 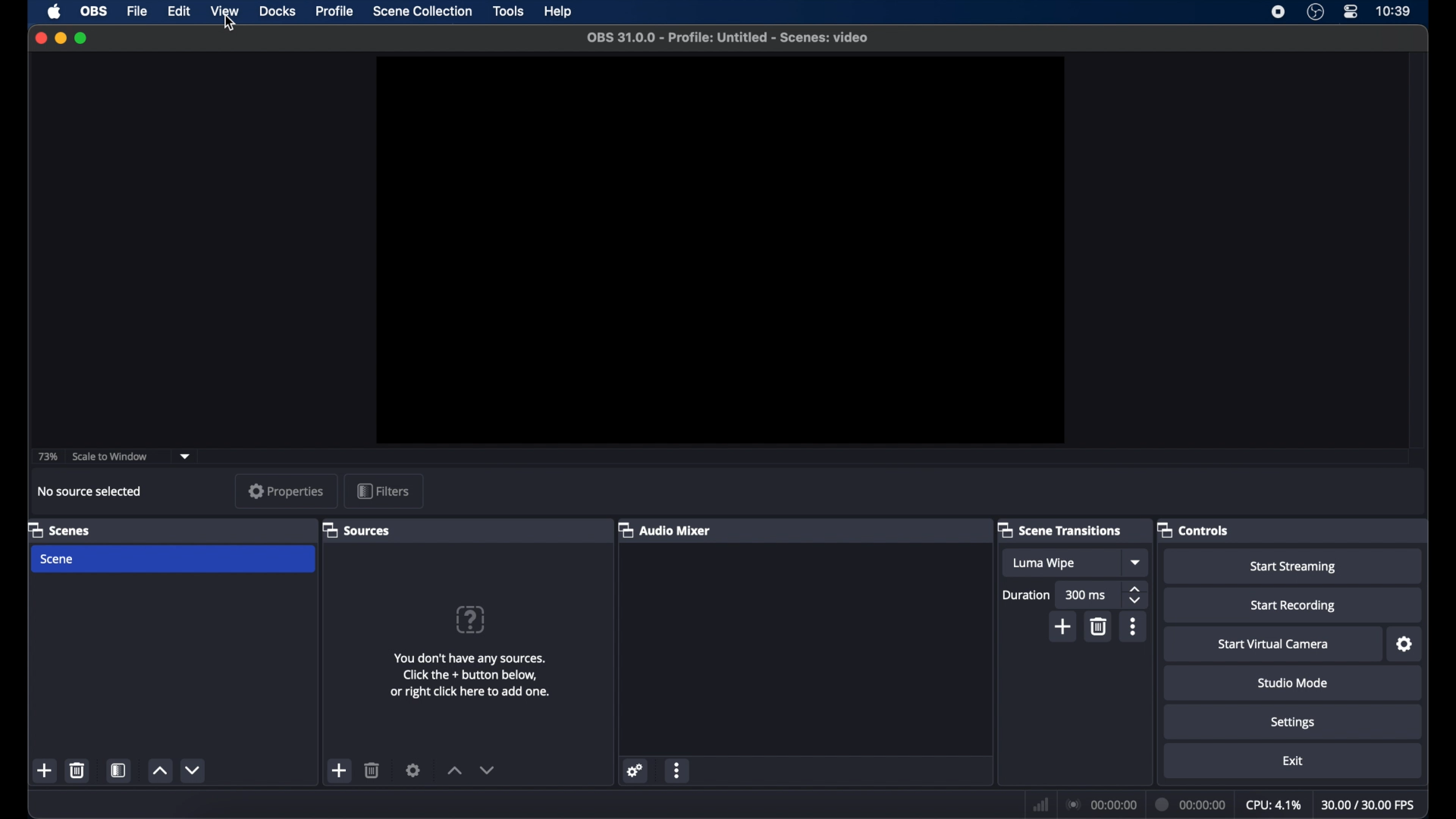 What do you see at coordinates (1292, 565) in the screenshot?
I see `Start Streaming` at bounding box center [1292, 565].